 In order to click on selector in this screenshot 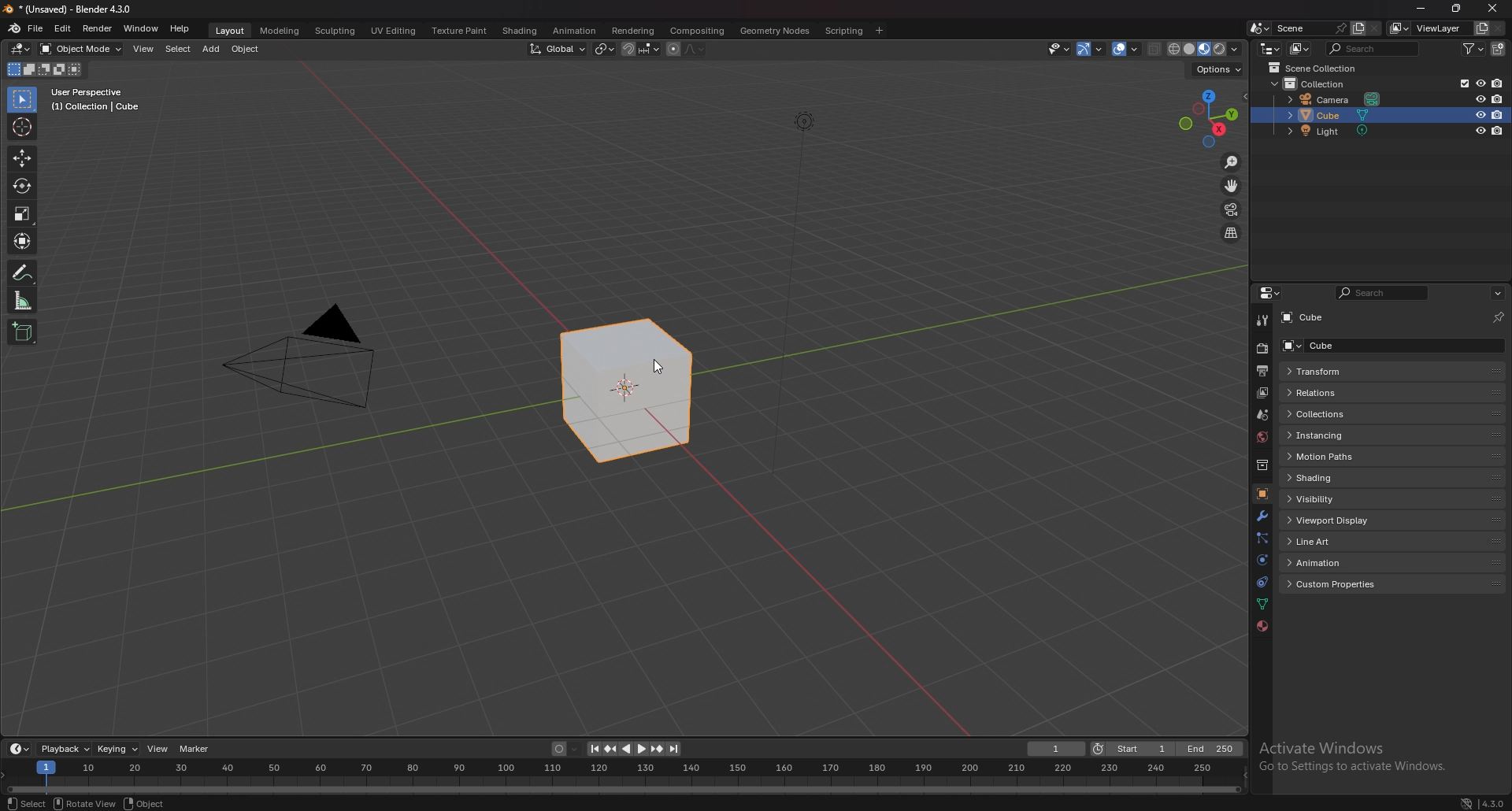, I will do `click(22, 100)`.